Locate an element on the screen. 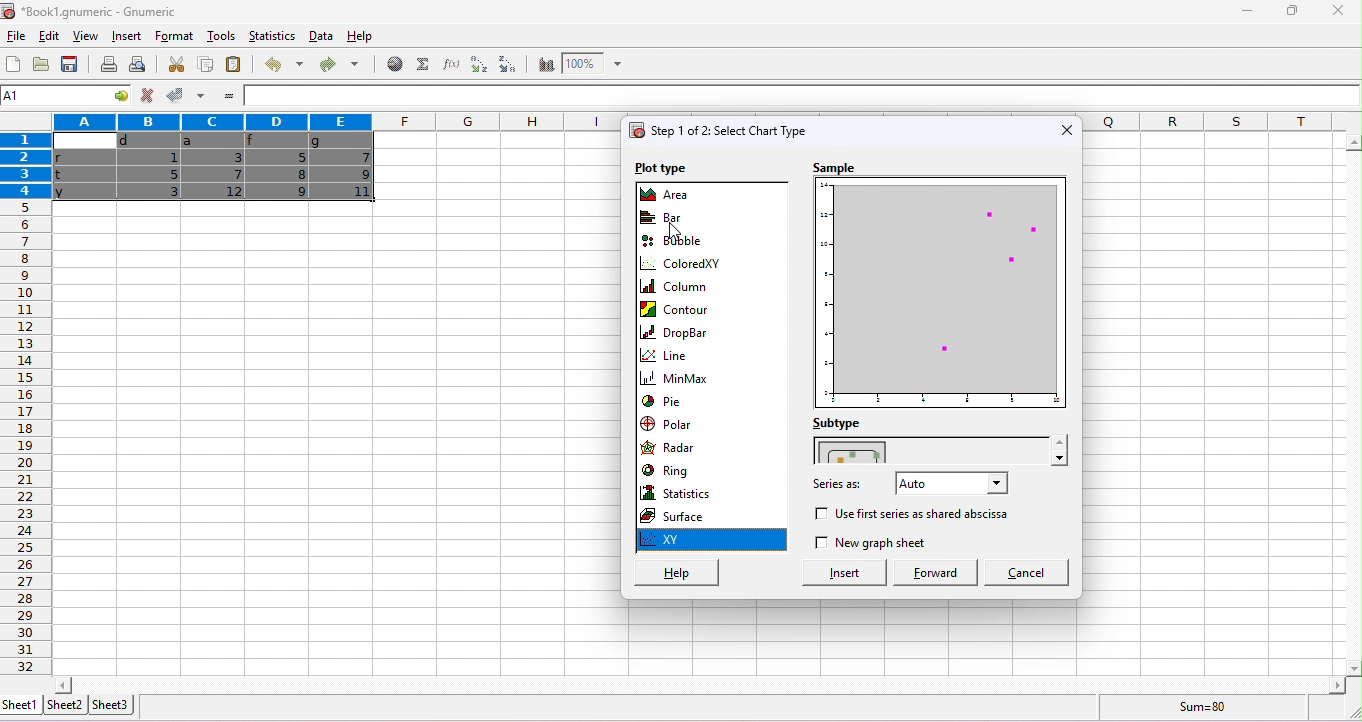  cut is located at coordinates (179, 64).